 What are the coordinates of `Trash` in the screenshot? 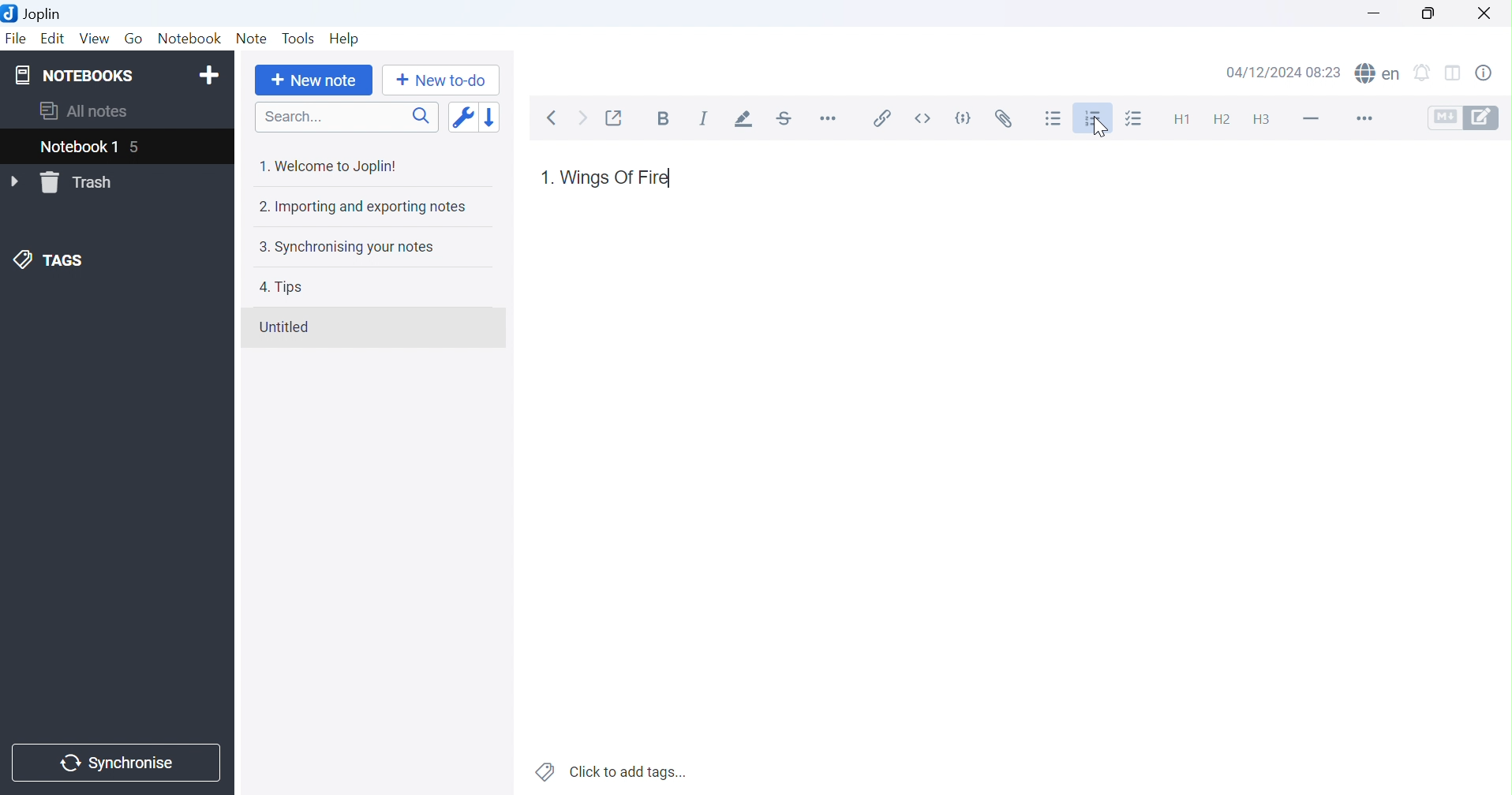 It's located at (80, 183).